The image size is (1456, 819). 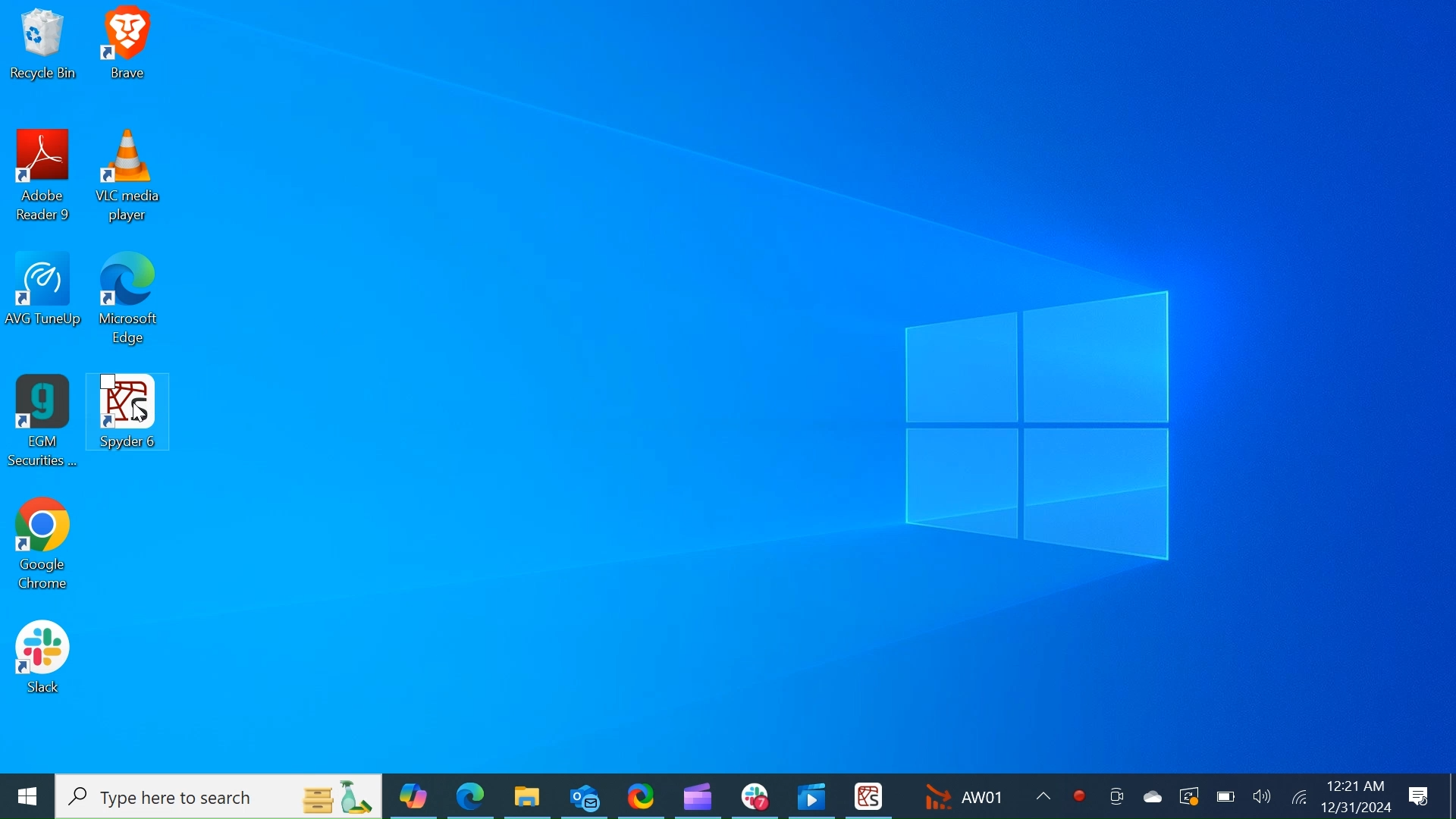 I want to click on AW01, so click(x=990, y=795).